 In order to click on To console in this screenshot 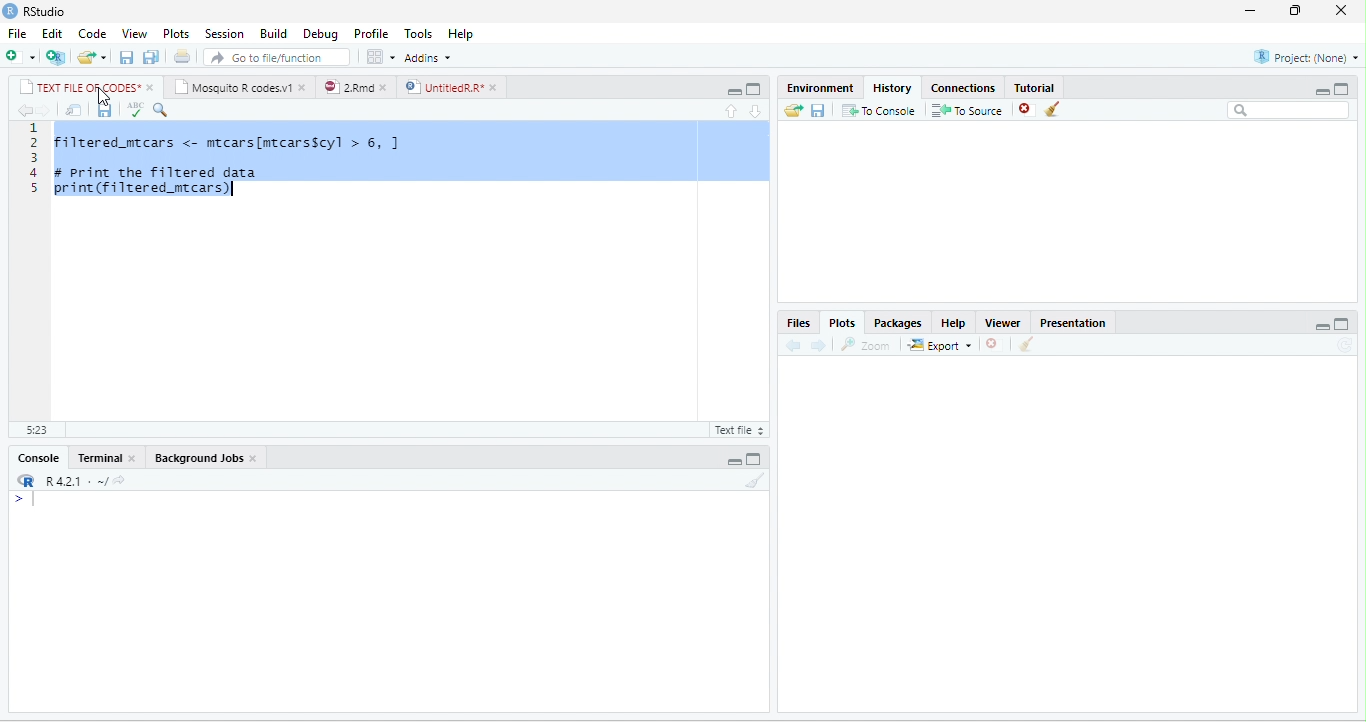, I will do `click(879, 110)`.